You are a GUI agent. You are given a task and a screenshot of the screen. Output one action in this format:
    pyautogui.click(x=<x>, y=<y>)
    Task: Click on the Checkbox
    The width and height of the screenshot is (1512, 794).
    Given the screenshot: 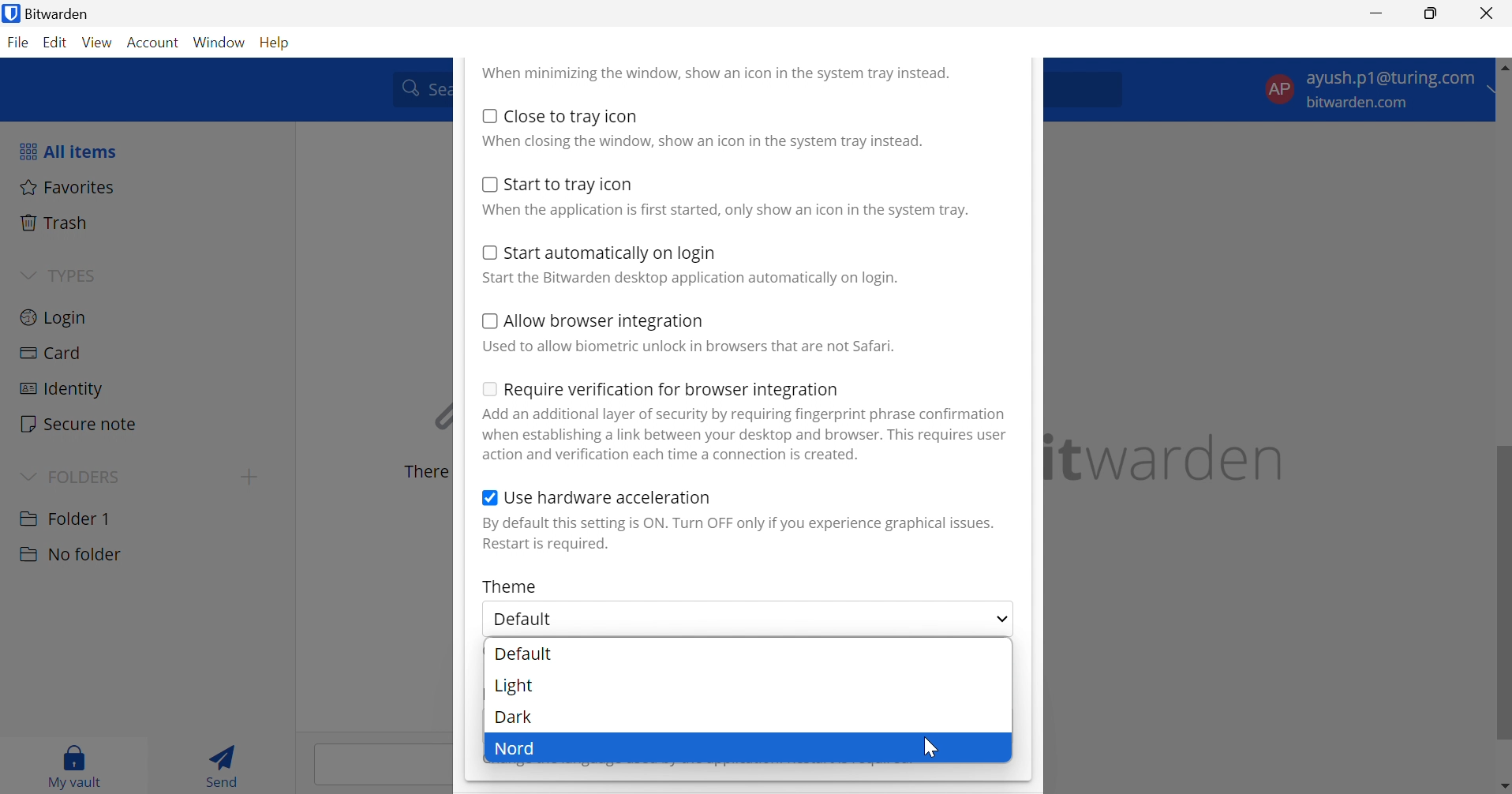 What is the action you would take?
    pyautogui.click(x=487, y=388)
    